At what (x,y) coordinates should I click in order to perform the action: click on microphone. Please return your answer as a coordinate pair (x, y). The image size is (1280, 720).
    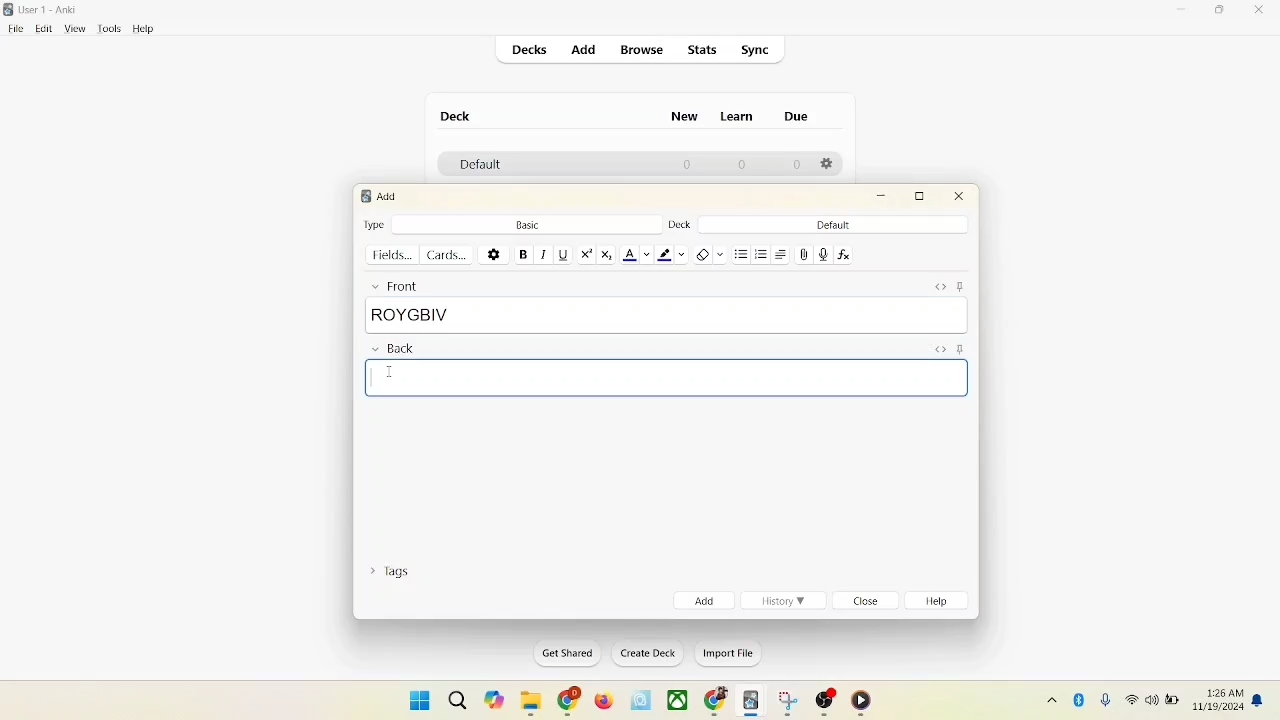
    Looking at the image, I should click on (1102, 698).